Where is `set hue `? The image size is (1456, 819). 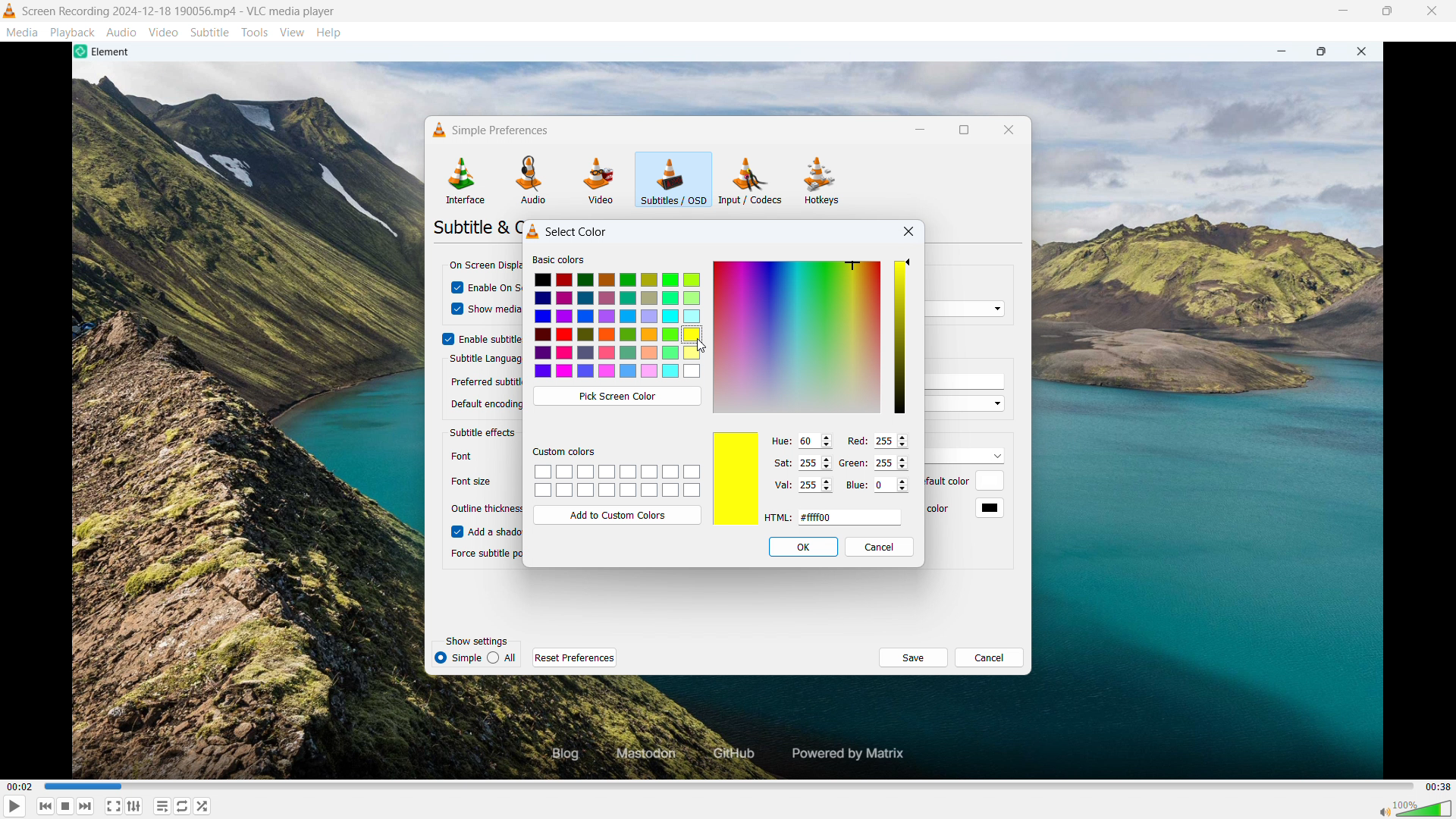
set hue  is located at coordinates (814, 441).